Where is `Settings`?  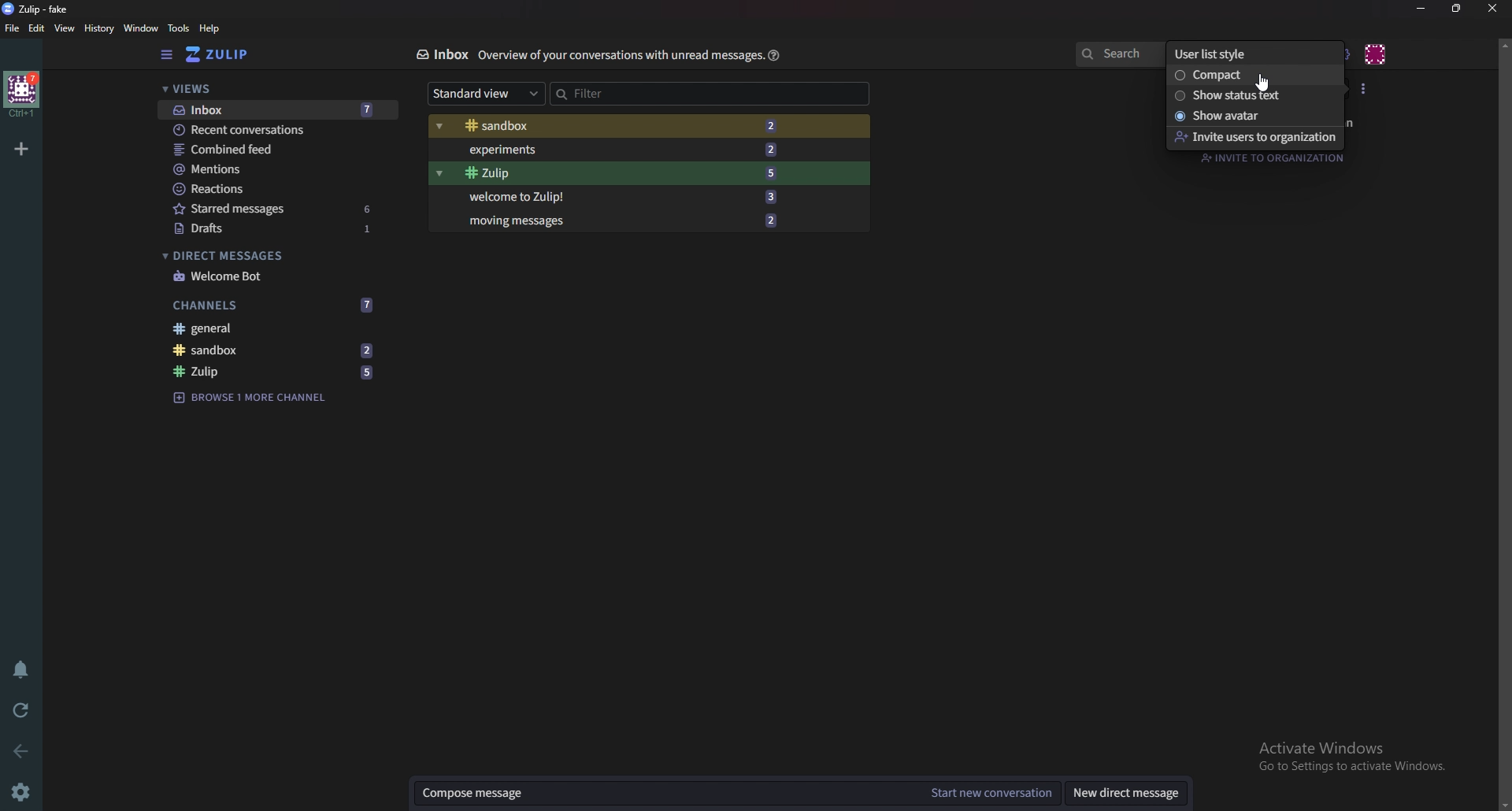 Settings is located at coordinates (24, 791).